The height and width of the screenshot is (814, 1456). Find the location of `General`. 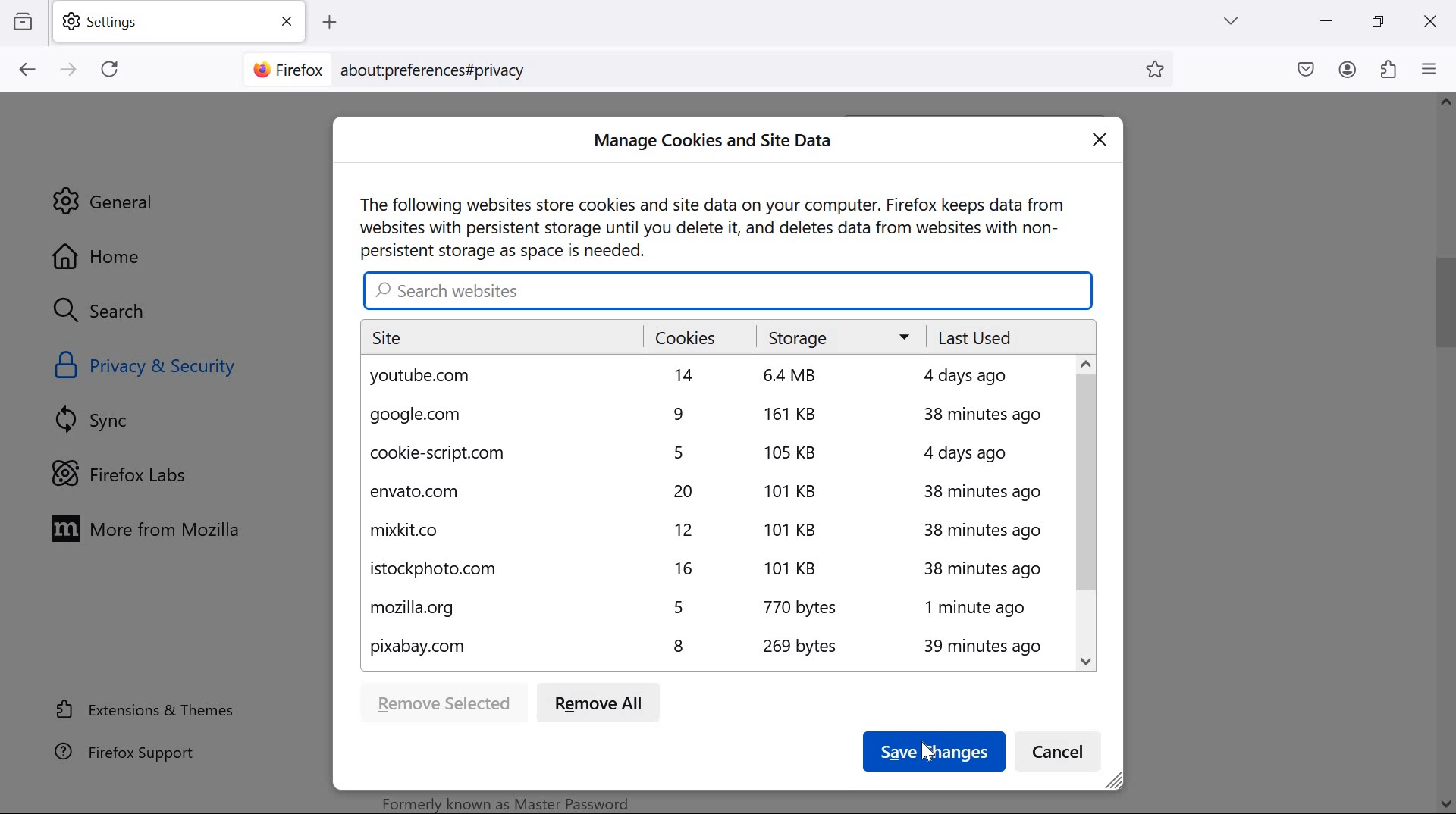

General is located at coordinates (108, 201).